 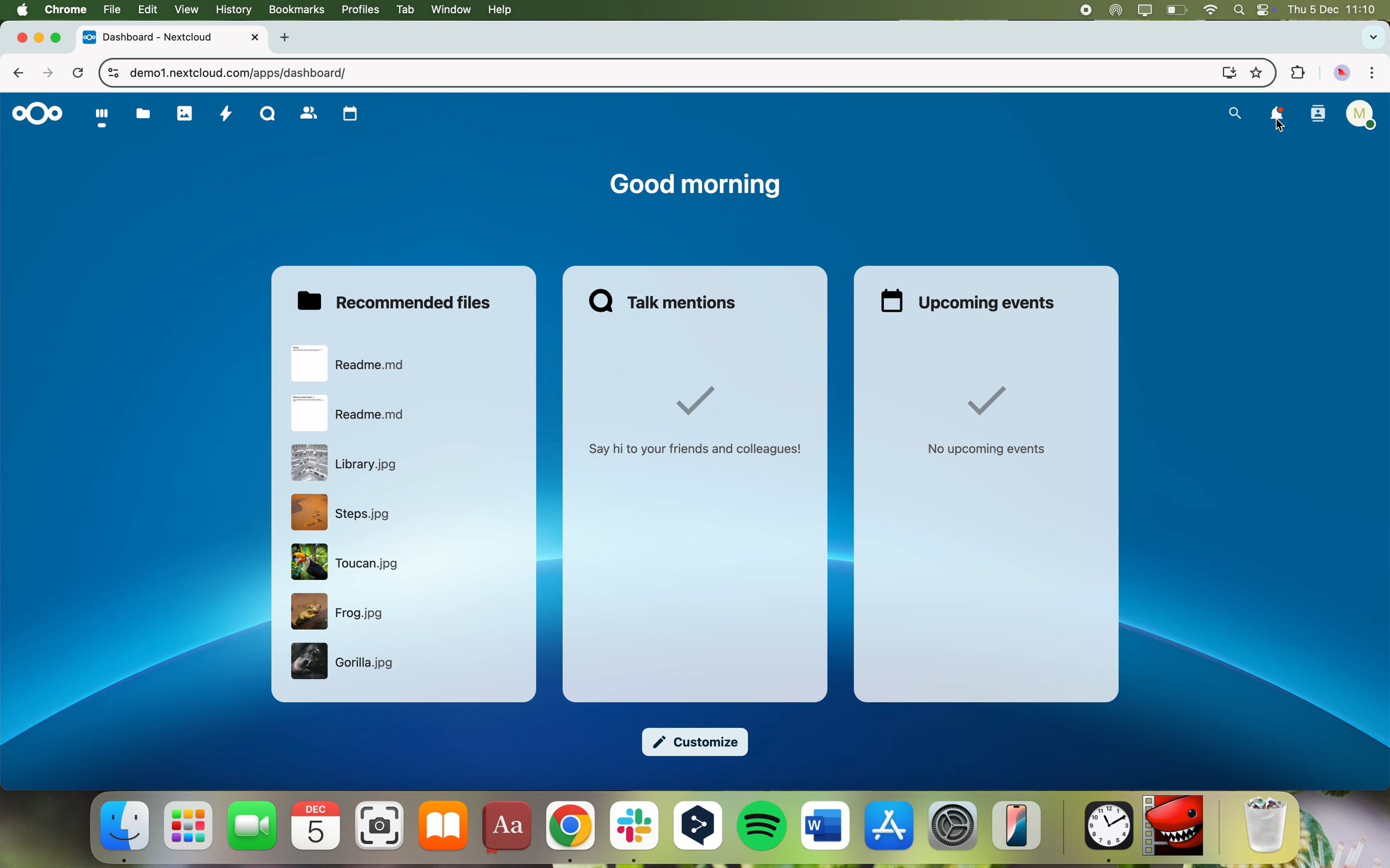 I want to click on launchpad, so click(x=188, y=827).